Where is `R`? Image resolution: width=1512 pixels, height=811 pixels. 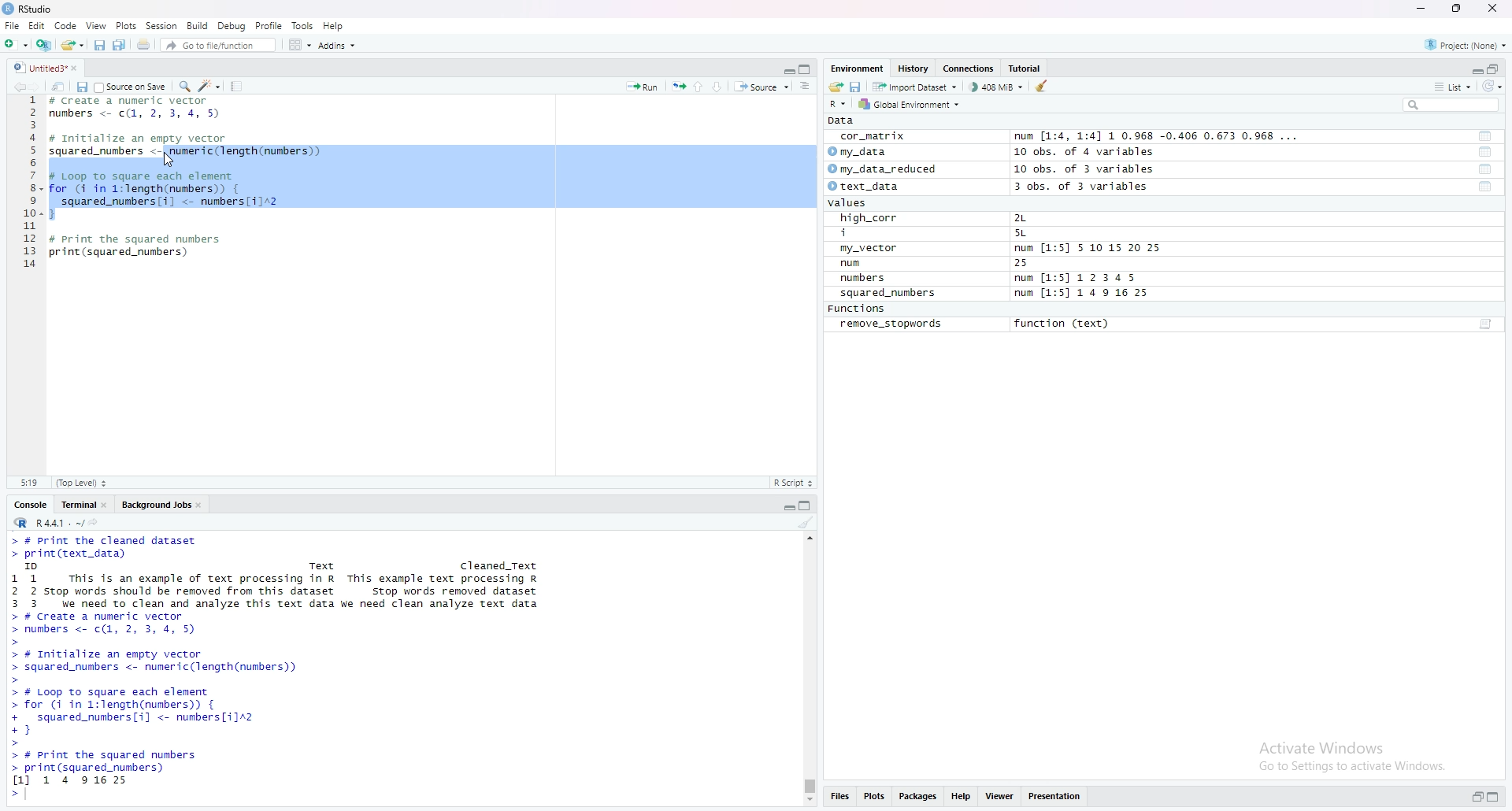
R is located at coordinates (839, 103).